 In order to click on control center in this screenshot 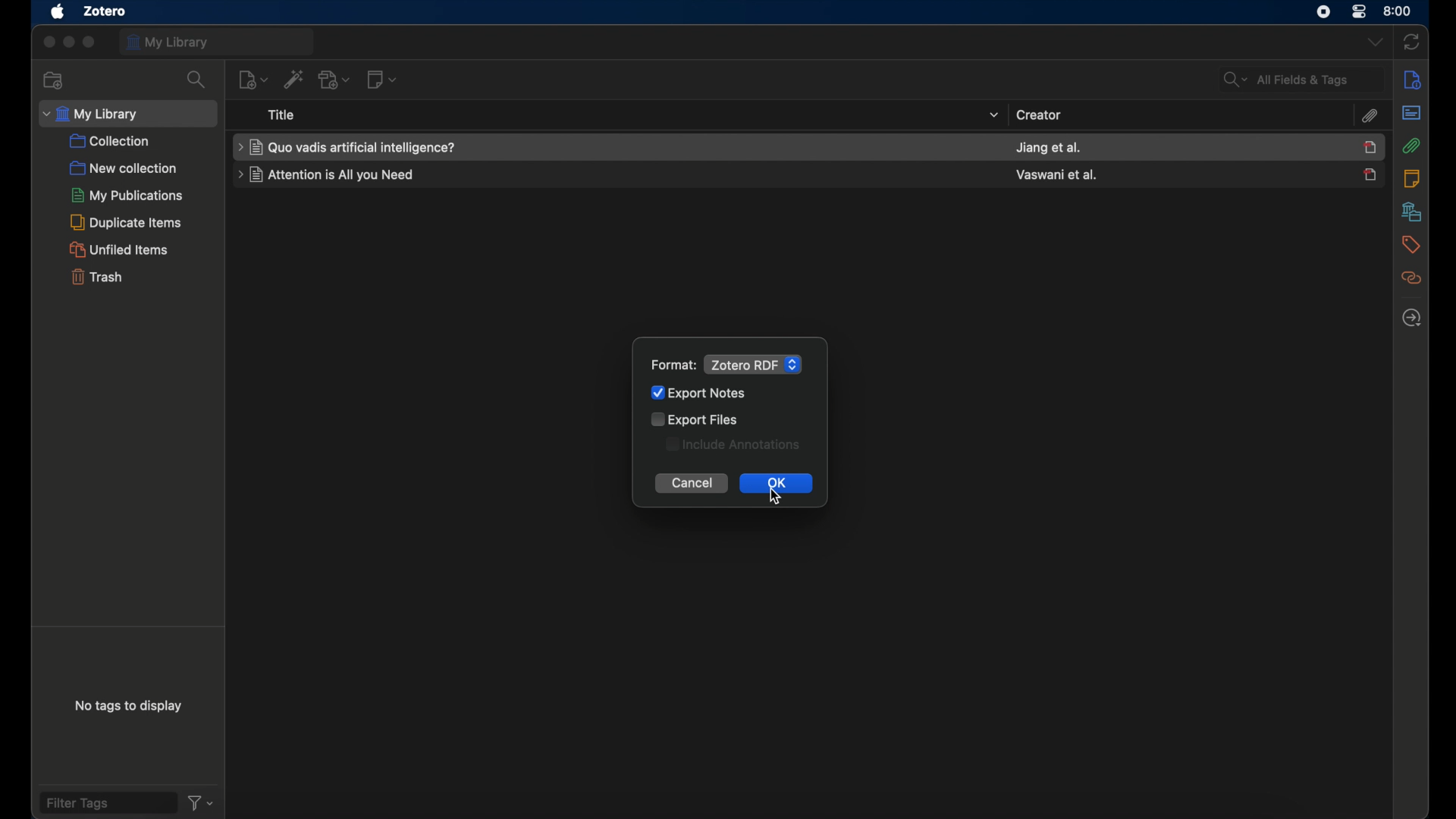, I will do `click(1360, 11)`.